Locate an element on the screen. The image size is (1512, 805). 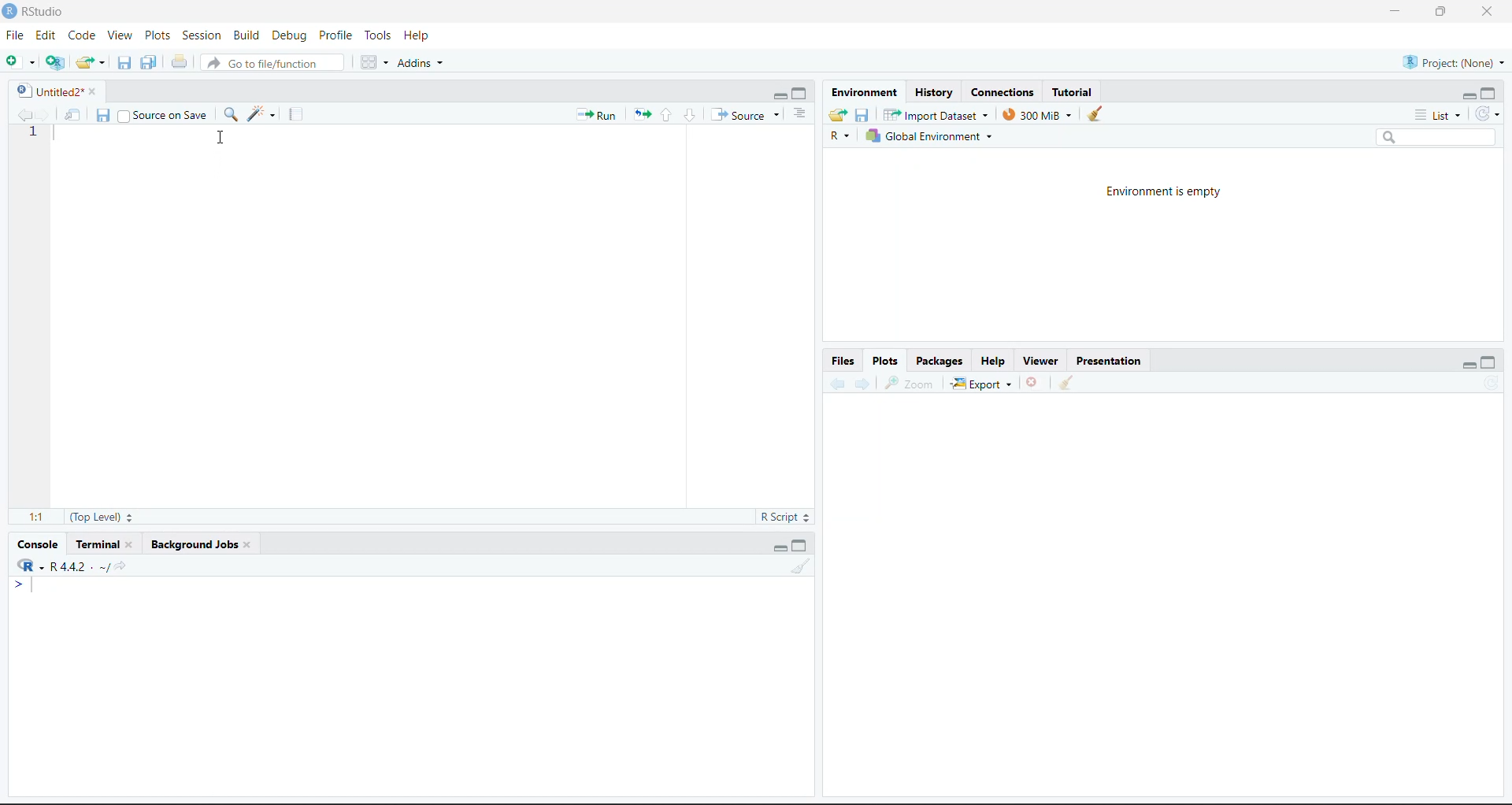
viewer  is located at coordinates (1043, 359).